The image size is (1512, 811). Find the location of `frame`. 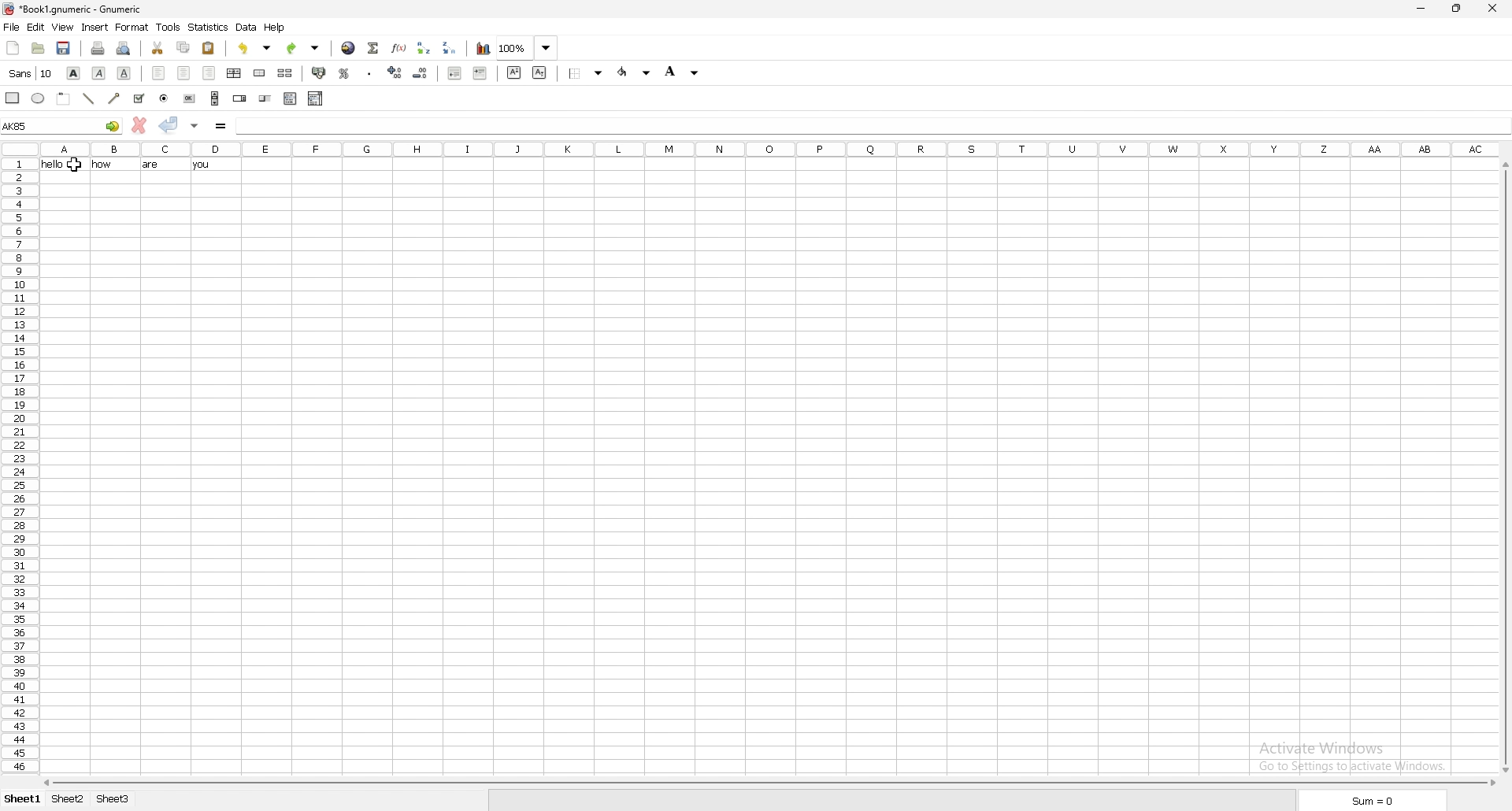

frame is located at coordinates (63, 98).